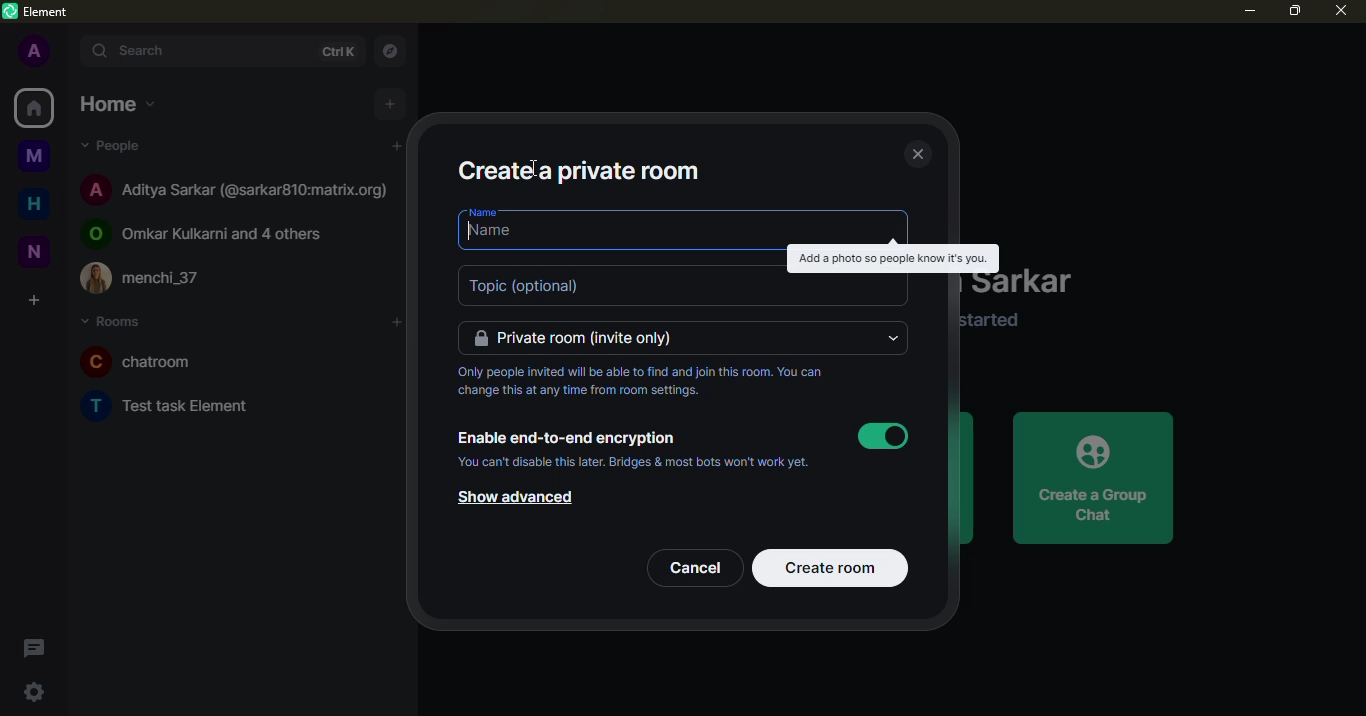 The width and height of the screenshot is (1366, 716). I want to click on Test task Element., so click(170, 406).